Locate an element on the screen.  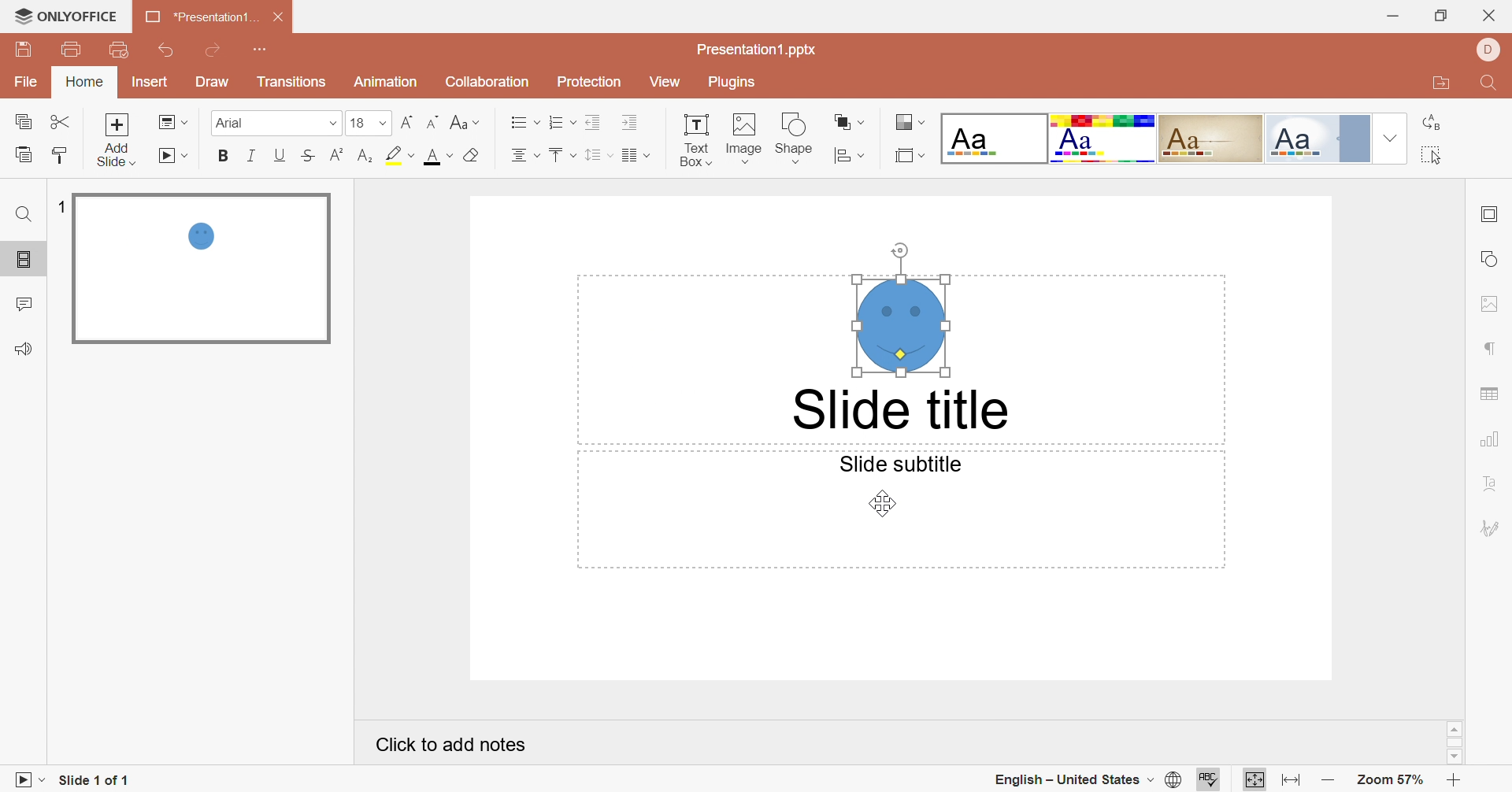
Customize quick access toolbar is located at coordinates (261, 50).